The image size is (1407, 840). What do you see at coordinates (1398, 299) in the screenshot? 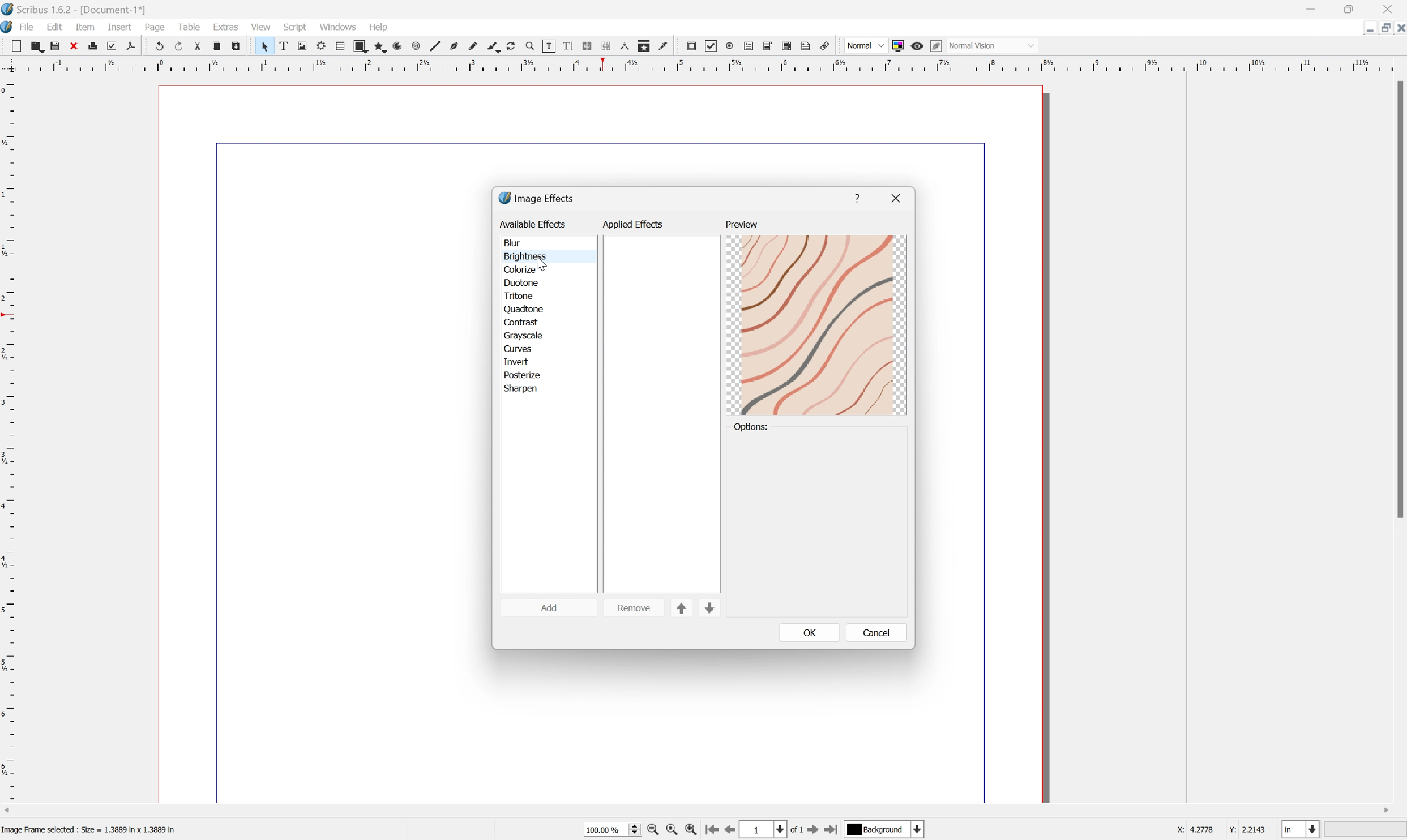
I see `Scroll bar` at bounding box center [1398, 299].